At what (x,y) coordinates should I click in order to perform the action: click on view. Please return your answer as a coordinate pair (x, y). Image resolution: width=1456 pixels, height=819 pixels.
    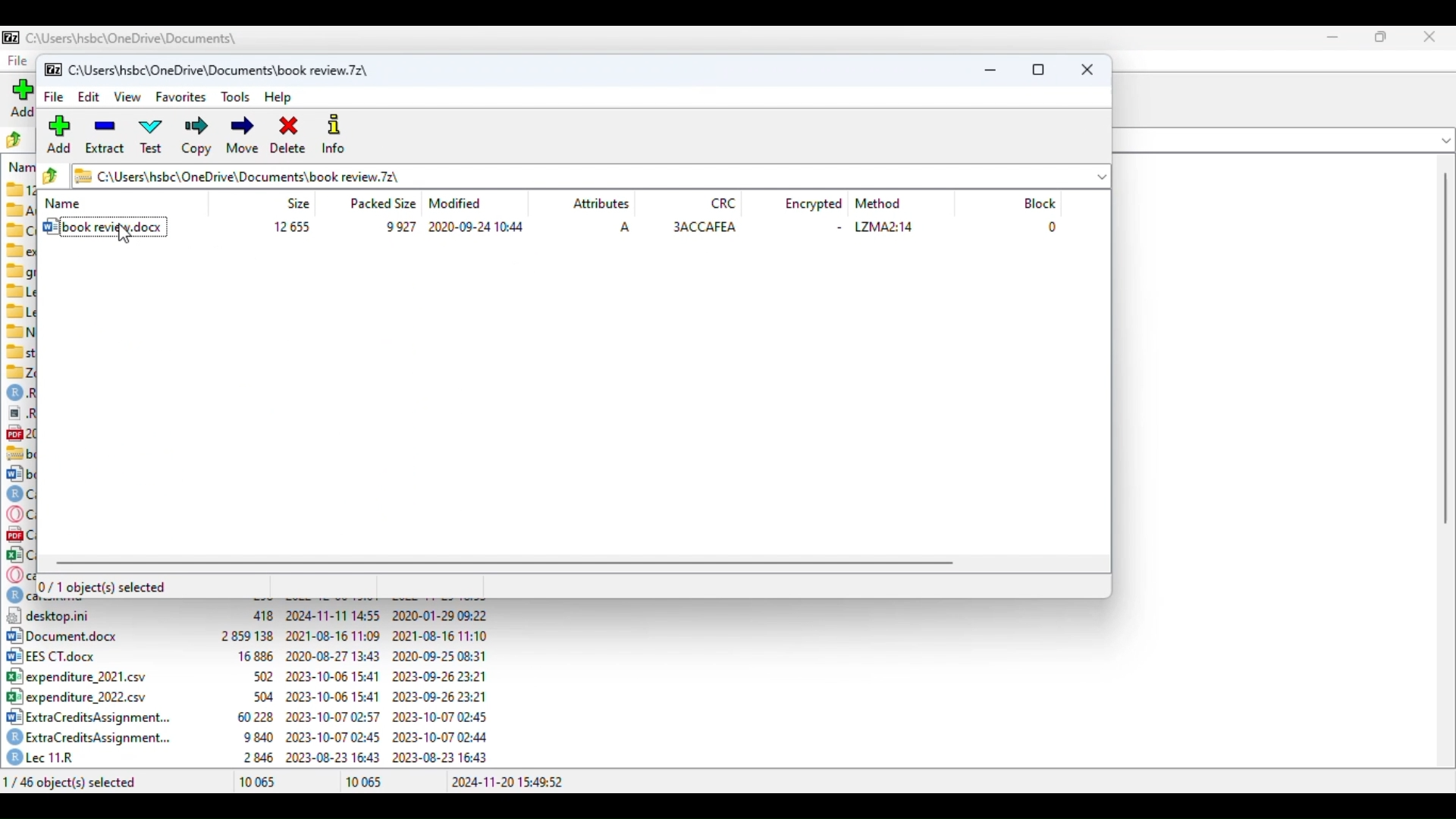
    Looking at the image, I should click on (128, 98).